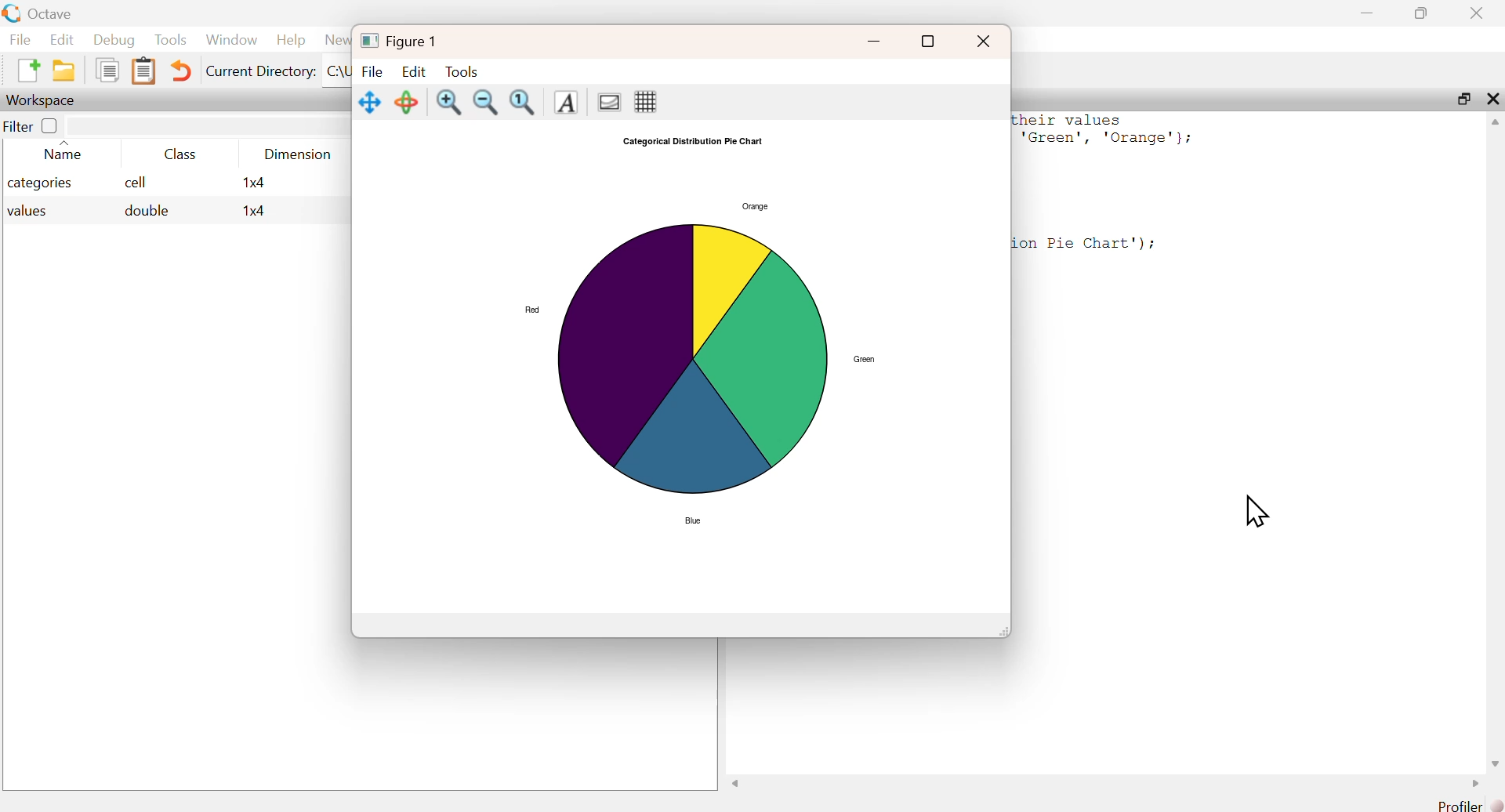  Describe the element at coordinates (300, 155) in the screenshot. I see `Dimension` at that location.